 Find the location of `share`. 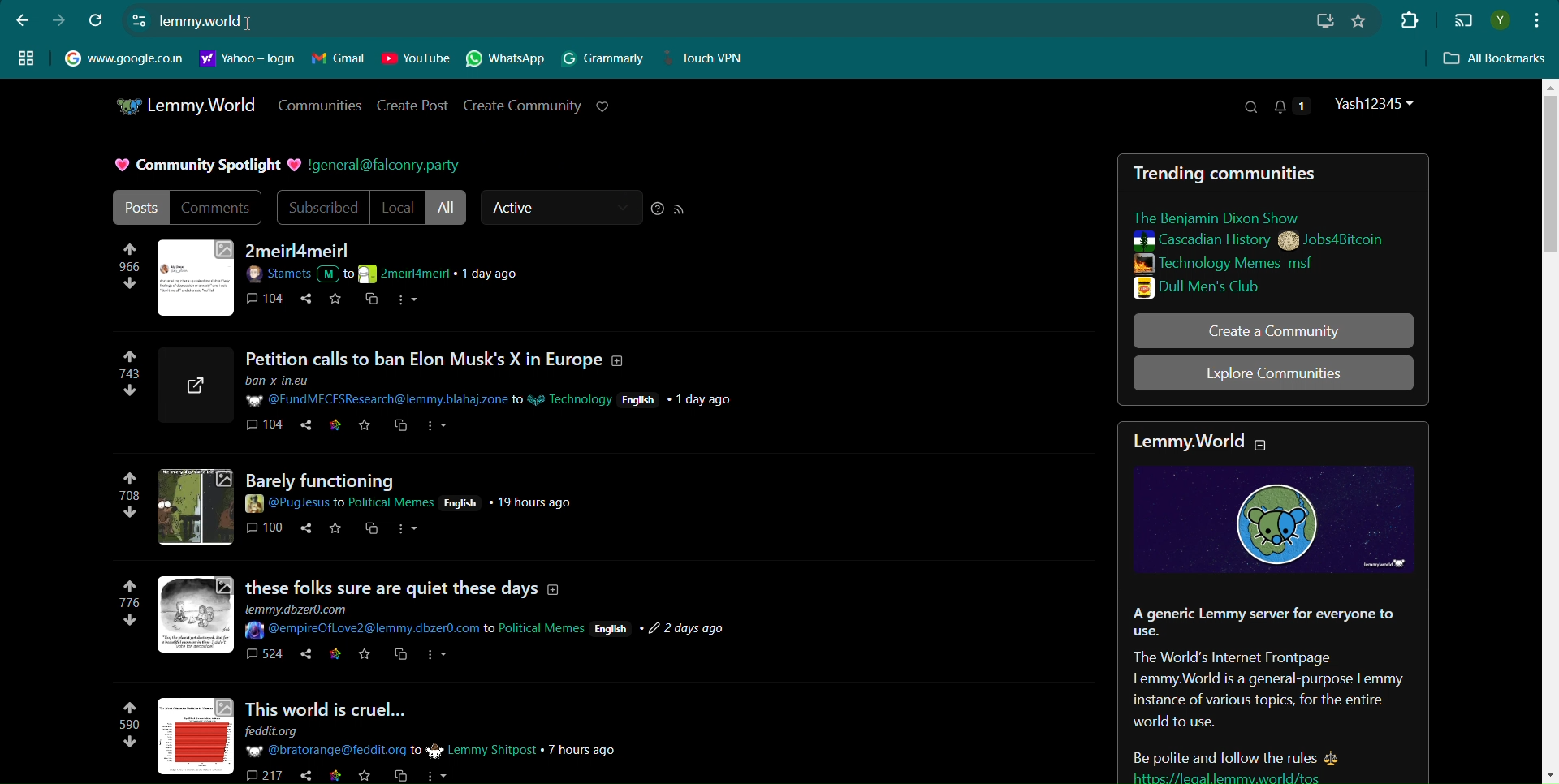

share is located at coordinates (304, 530).